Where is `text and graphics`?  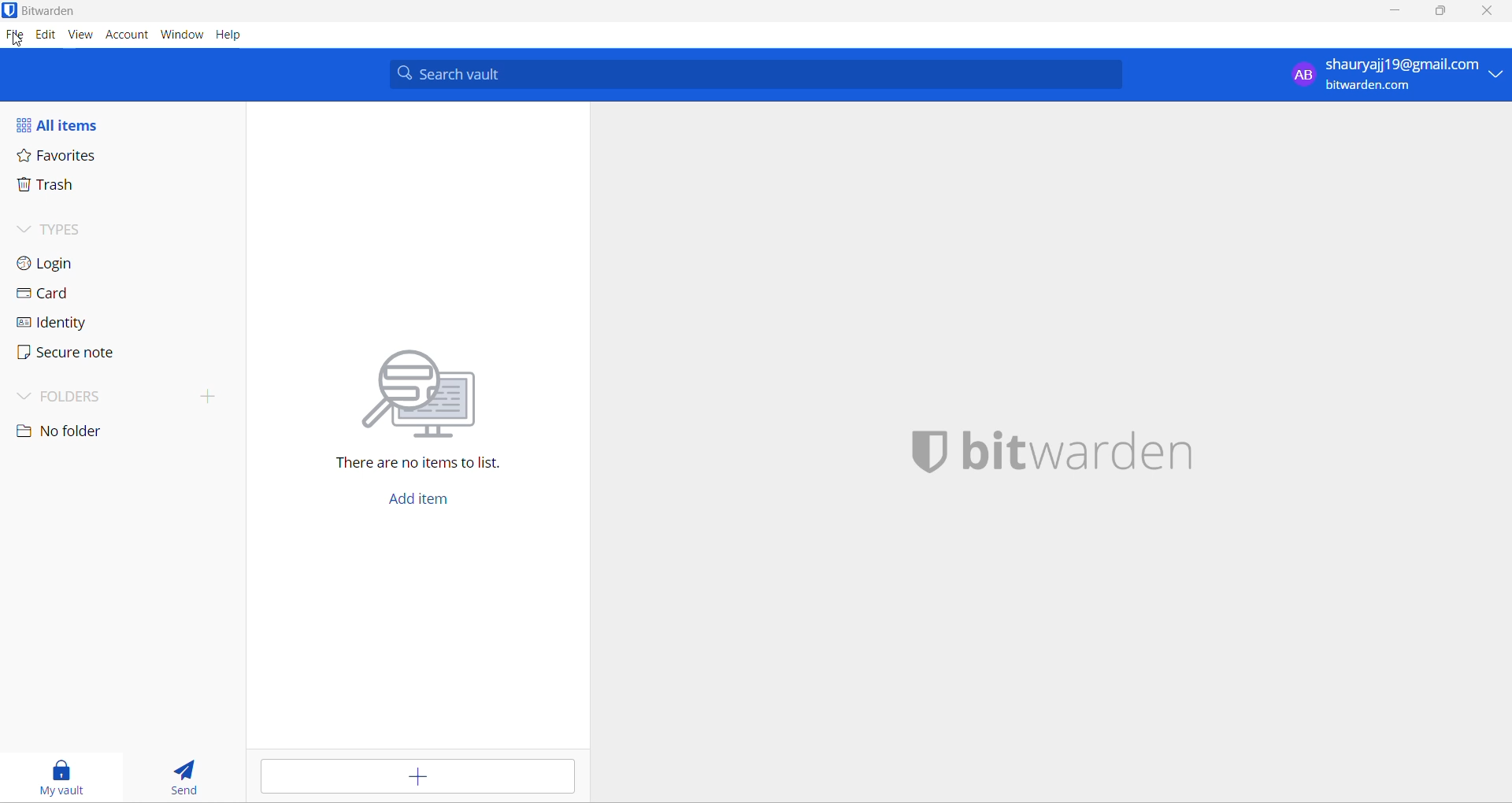
text and graphics is located at coordinates (428, 405).